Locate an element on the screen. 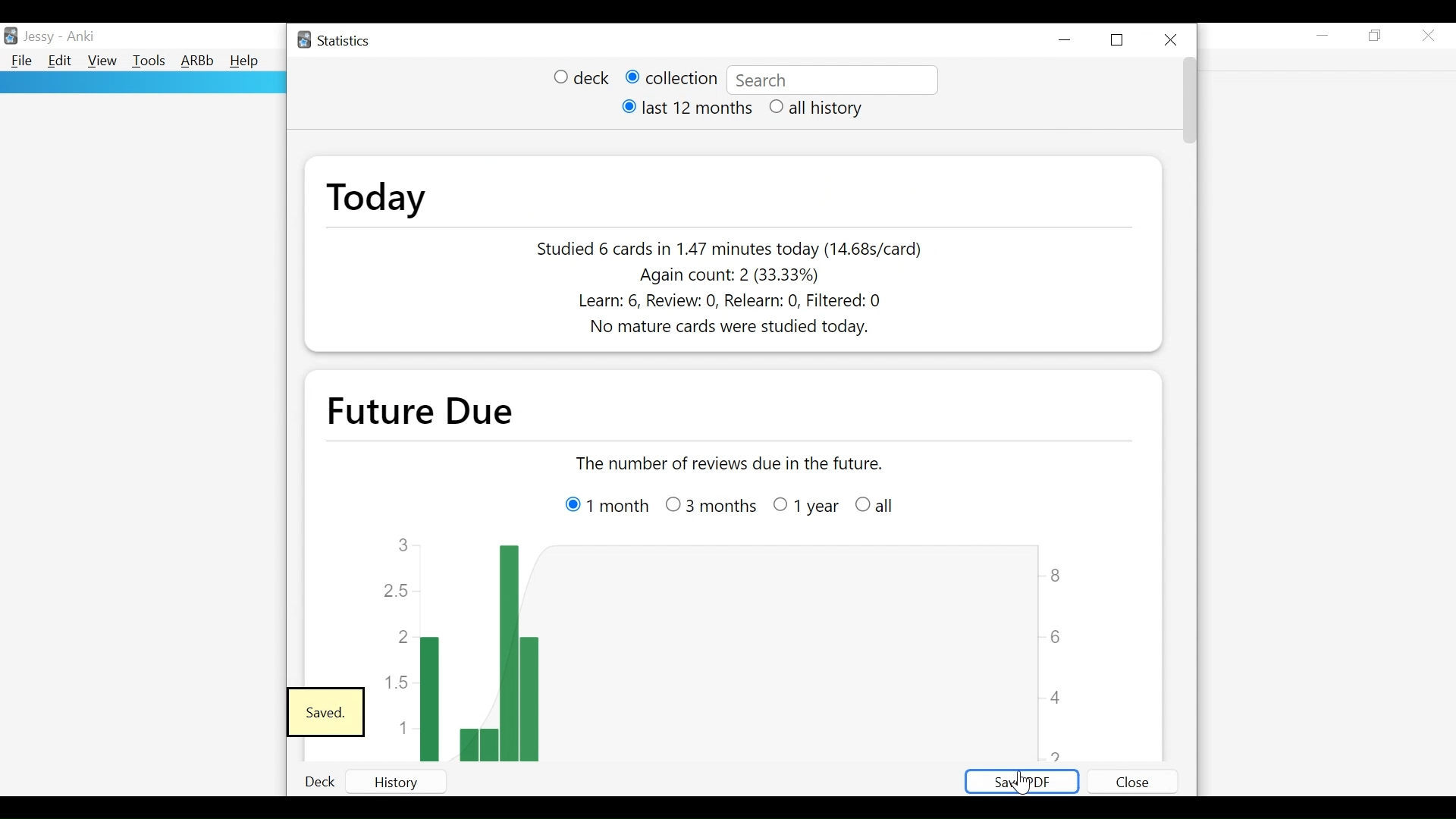 The height and width of the screenshot is (819, 1456). (un) select collection is located at coordinates (670, 78).